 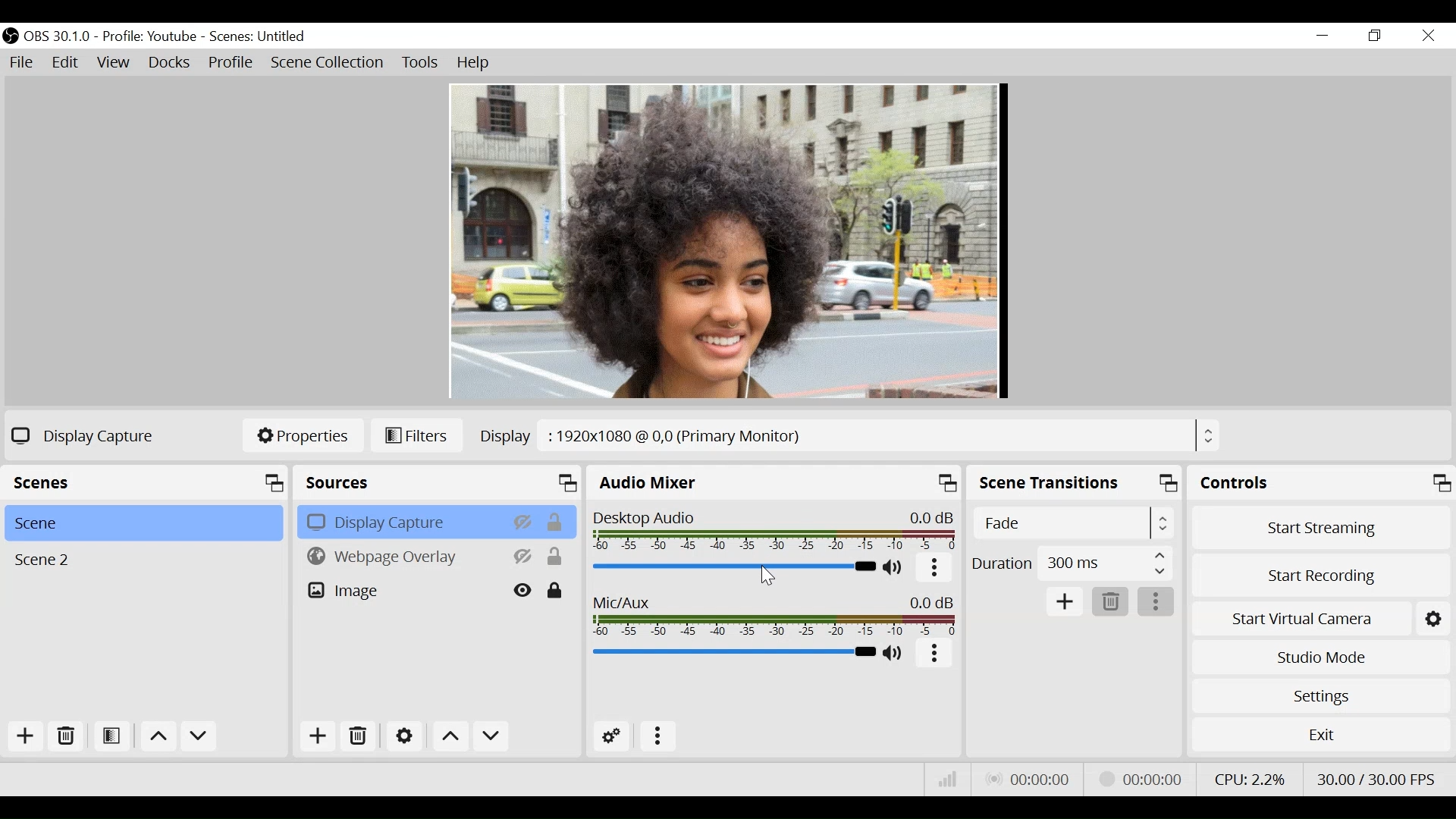 What do you see at coordinates (934, 654) in the screenshot?
I see `more options` at bounding box center [934, 654].